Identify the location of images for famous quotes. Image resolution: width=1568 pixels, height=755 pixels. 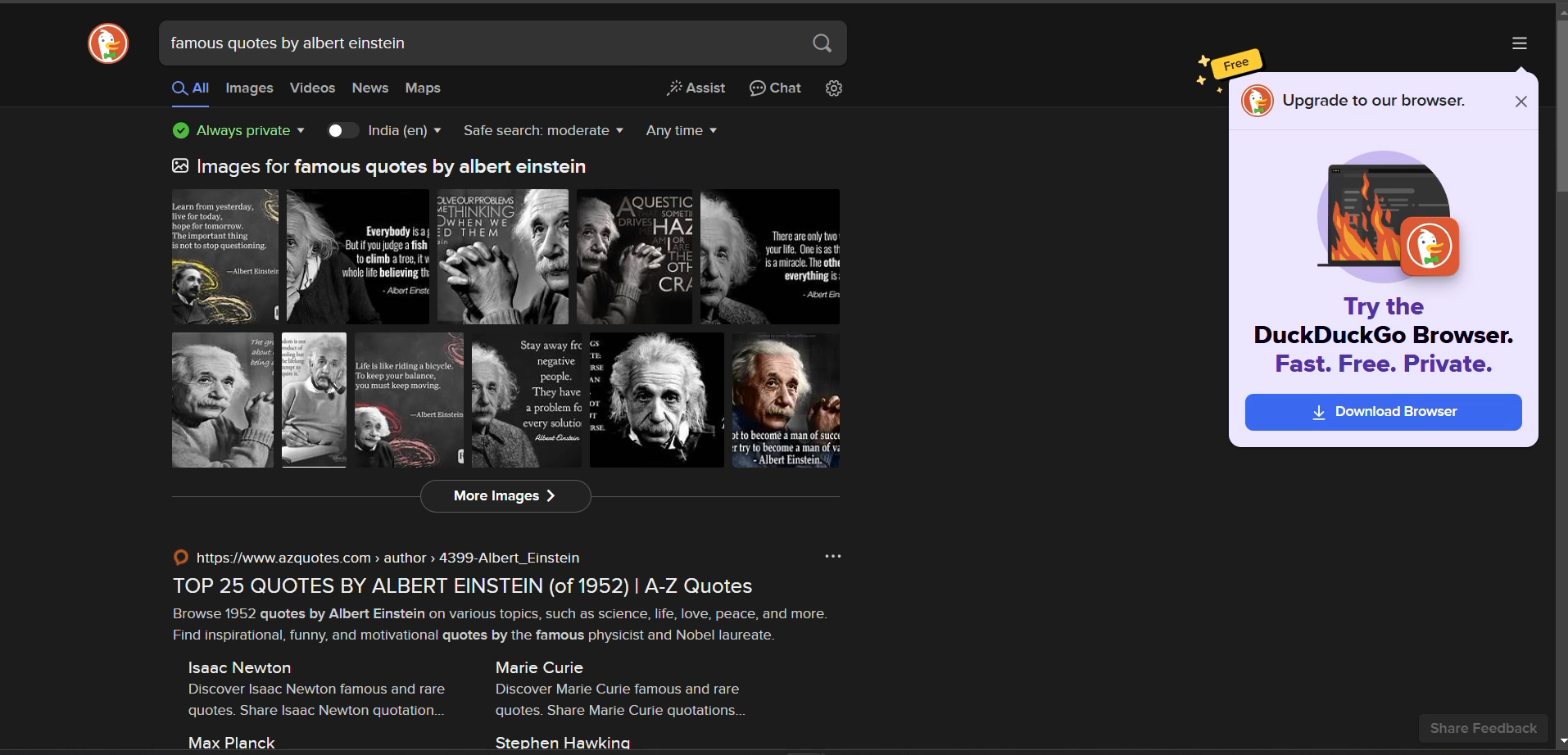
(512, 331).